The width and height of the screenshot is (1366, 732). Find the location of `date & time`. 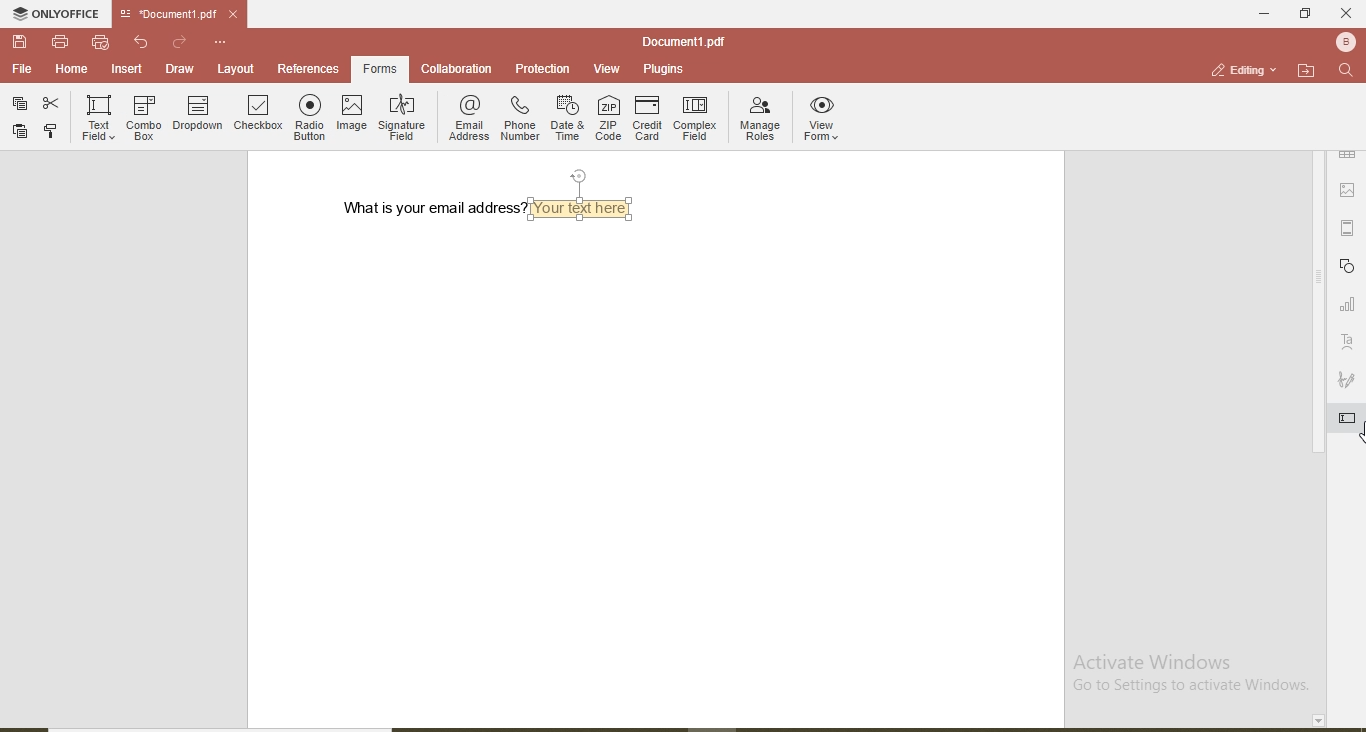

date & time is located at coordinates (567, 119).